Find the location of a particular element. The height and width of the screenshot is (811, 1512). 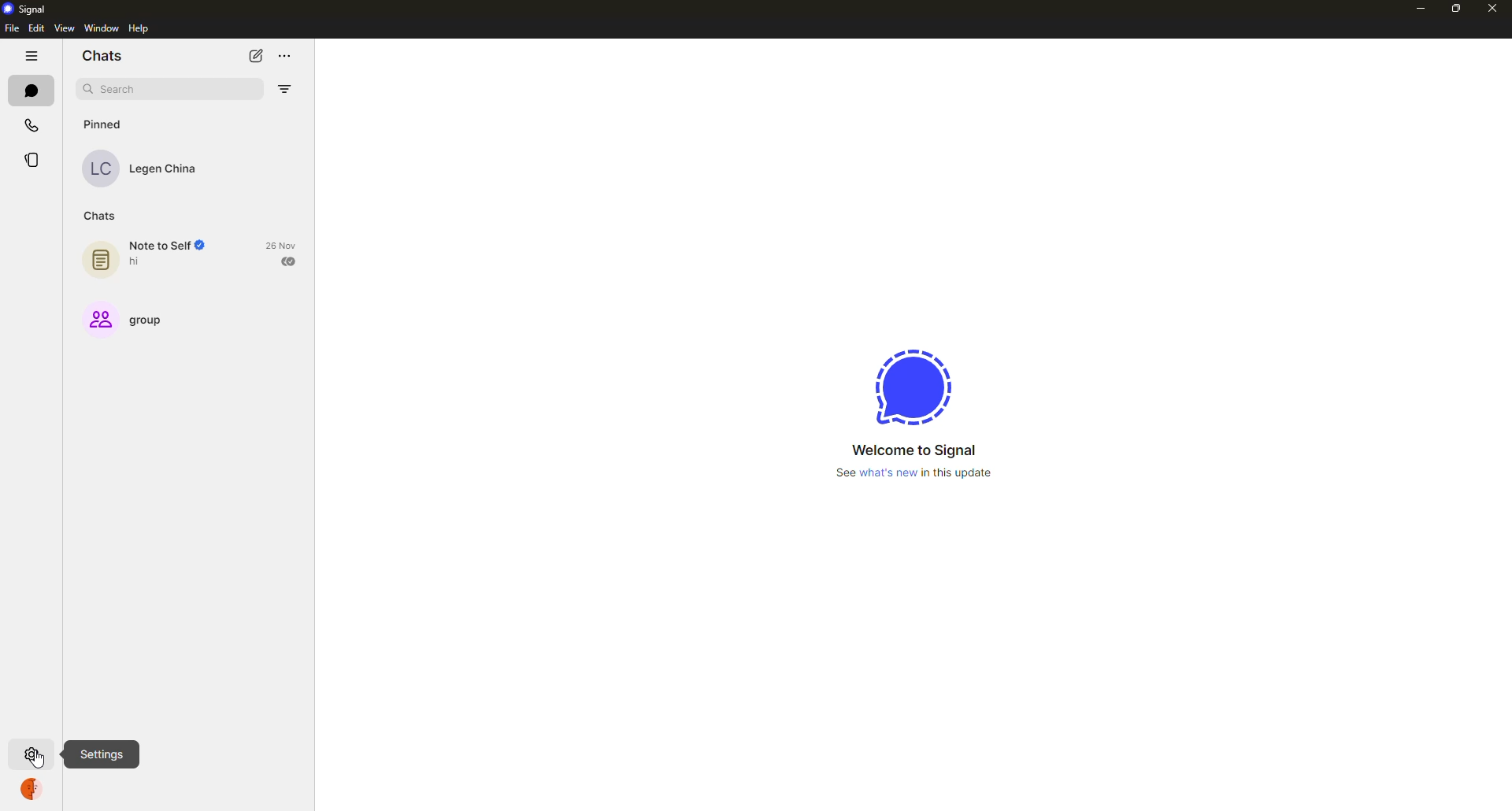

signal is located at coordinates (912, 386).